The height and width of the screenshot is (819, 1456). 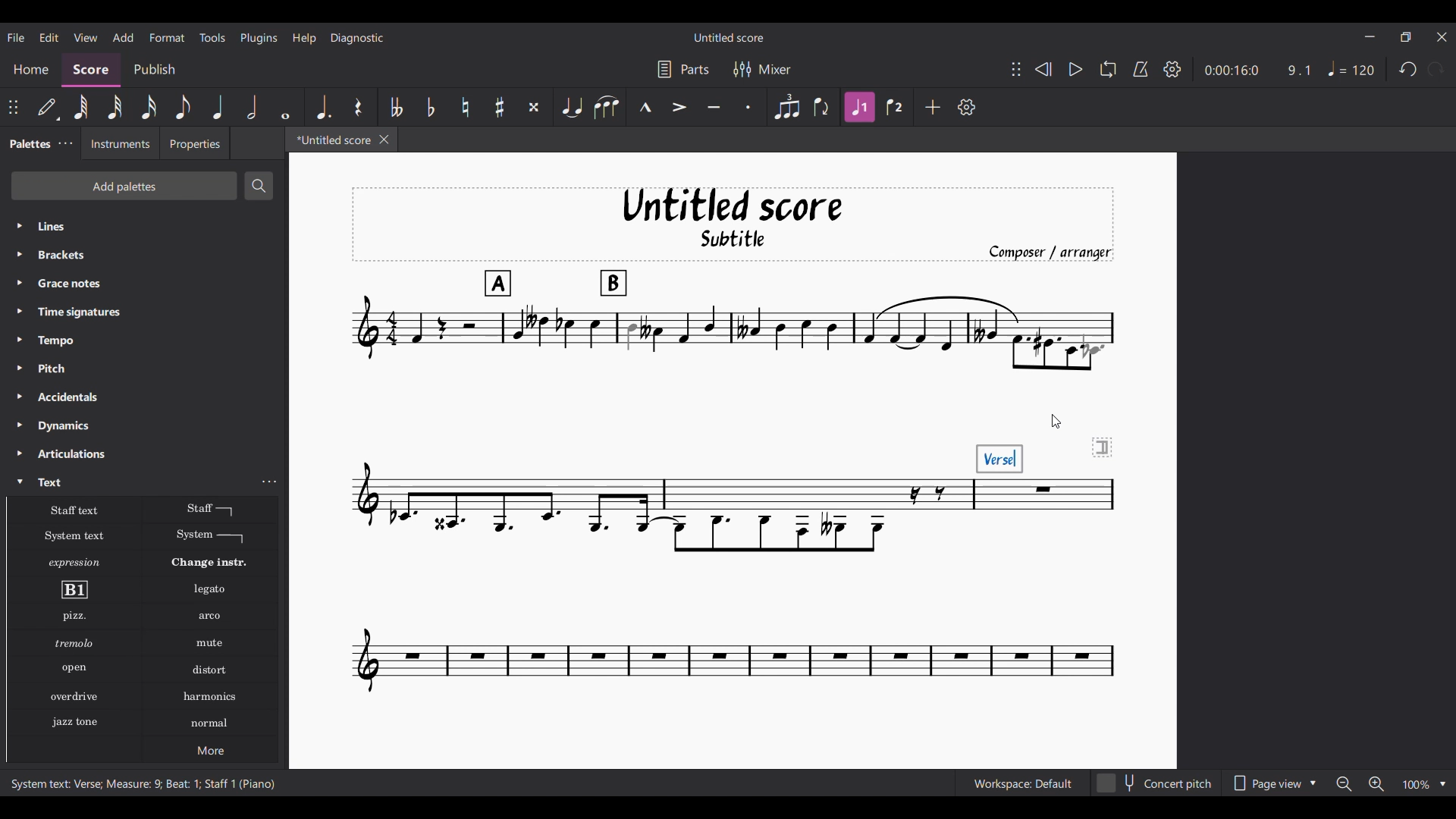 I want to click on Toggle double sharp, so click(x=534, y=107).